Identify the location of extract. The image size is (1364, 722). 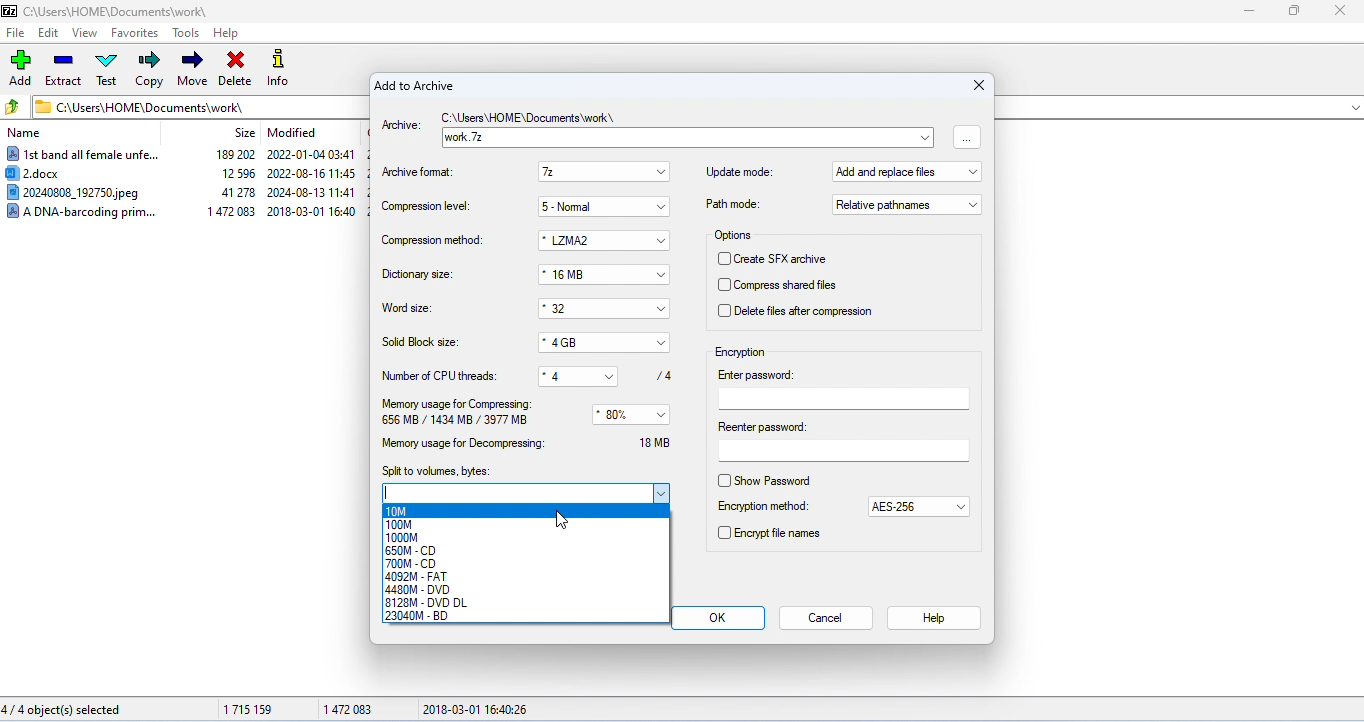
(63, 69).